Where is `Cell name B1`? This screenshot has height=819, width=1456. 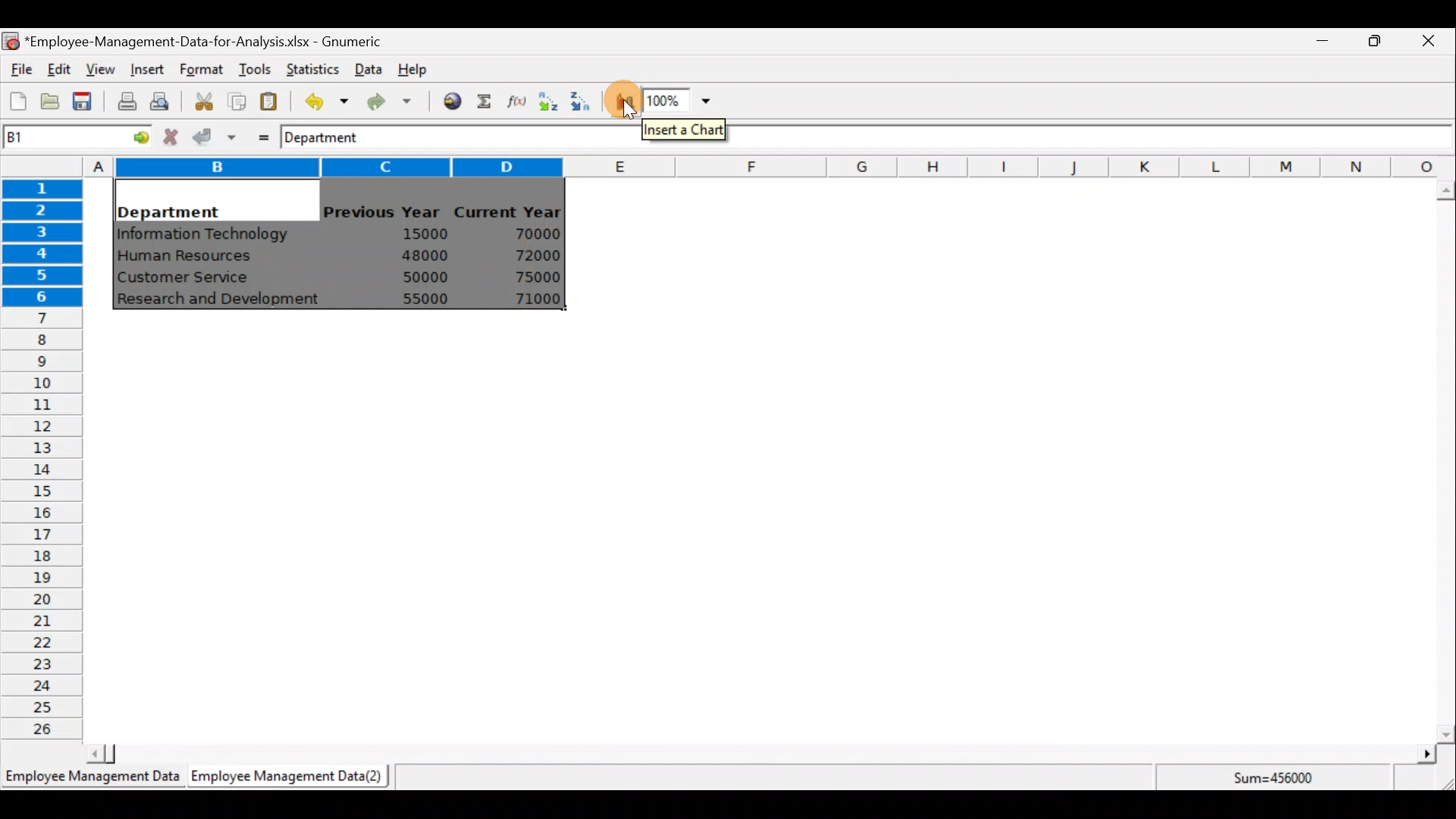 Cell name B1 is located at coordinates (50, 136).